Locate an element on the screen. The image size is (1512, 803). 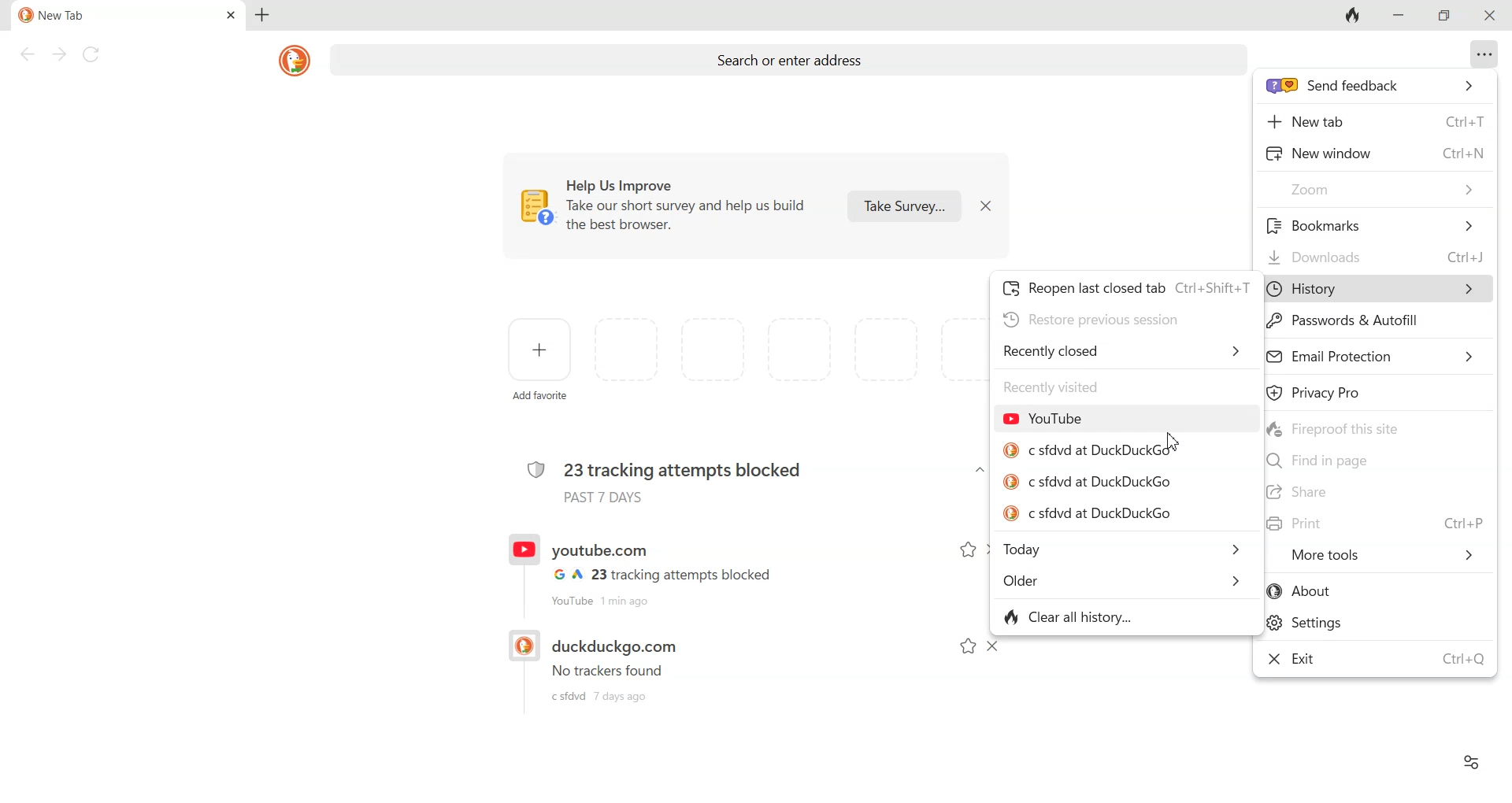
Password & Autofill is located at coordinates (1346, 322).